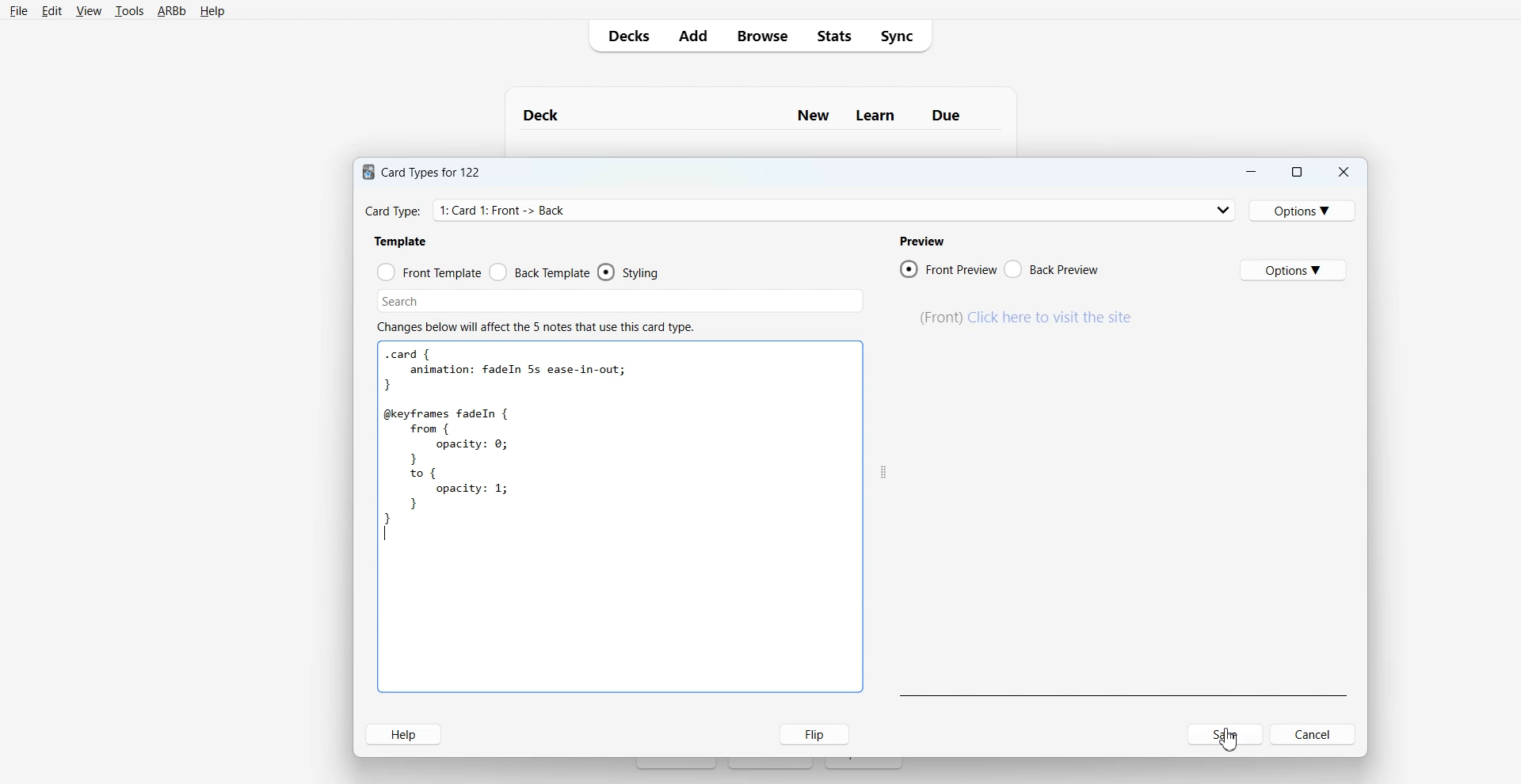  Describe the element at coordinates (538, 326) in the screenshot. I see `text 6` at that location.